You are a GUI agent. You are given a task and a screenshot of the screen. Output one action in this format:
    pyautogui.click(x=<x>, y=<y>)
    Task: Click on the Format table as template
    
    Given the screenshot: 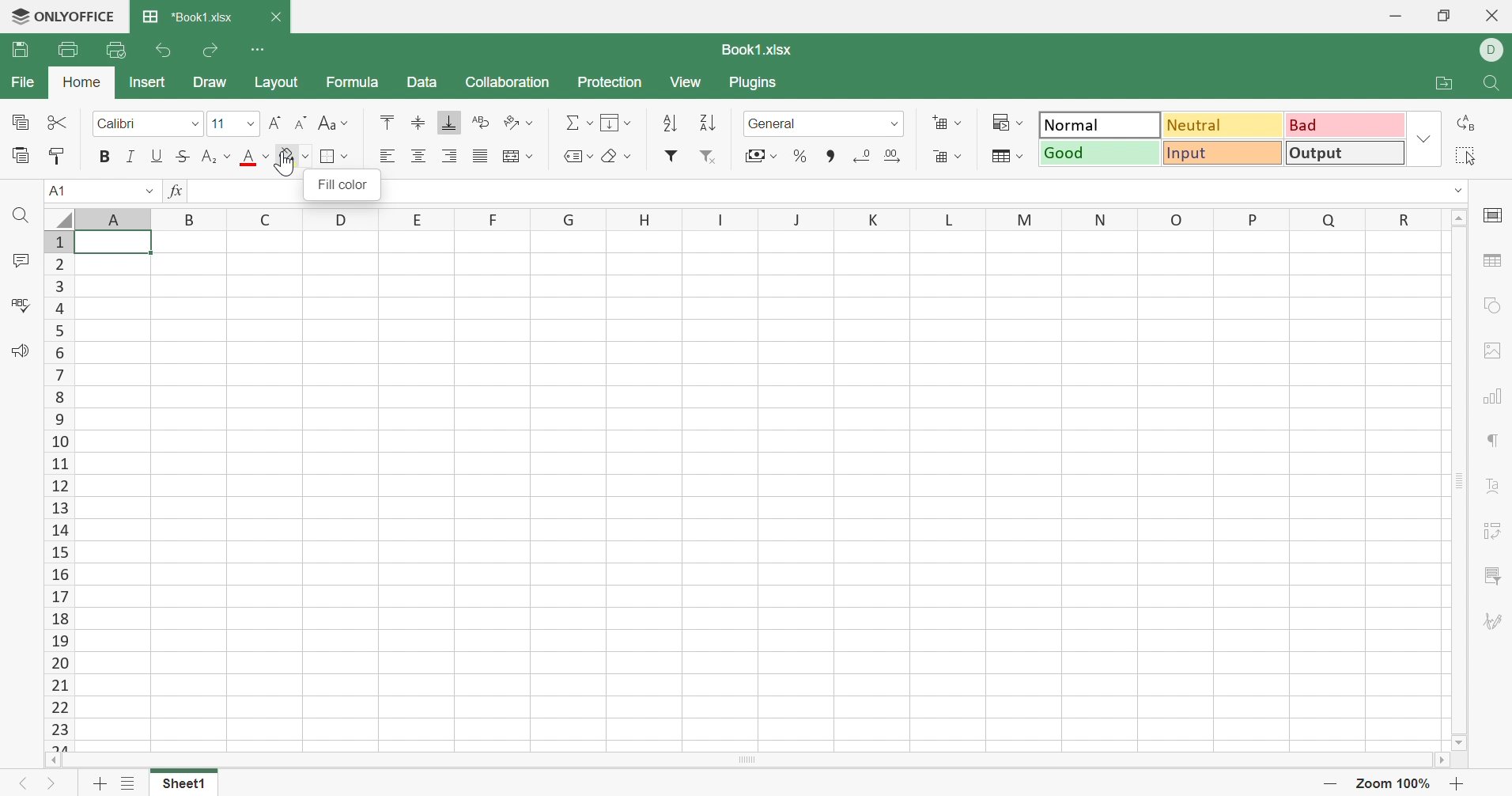 What is the action you would take?
    pyautogui.click(x=1007, y=155)
    